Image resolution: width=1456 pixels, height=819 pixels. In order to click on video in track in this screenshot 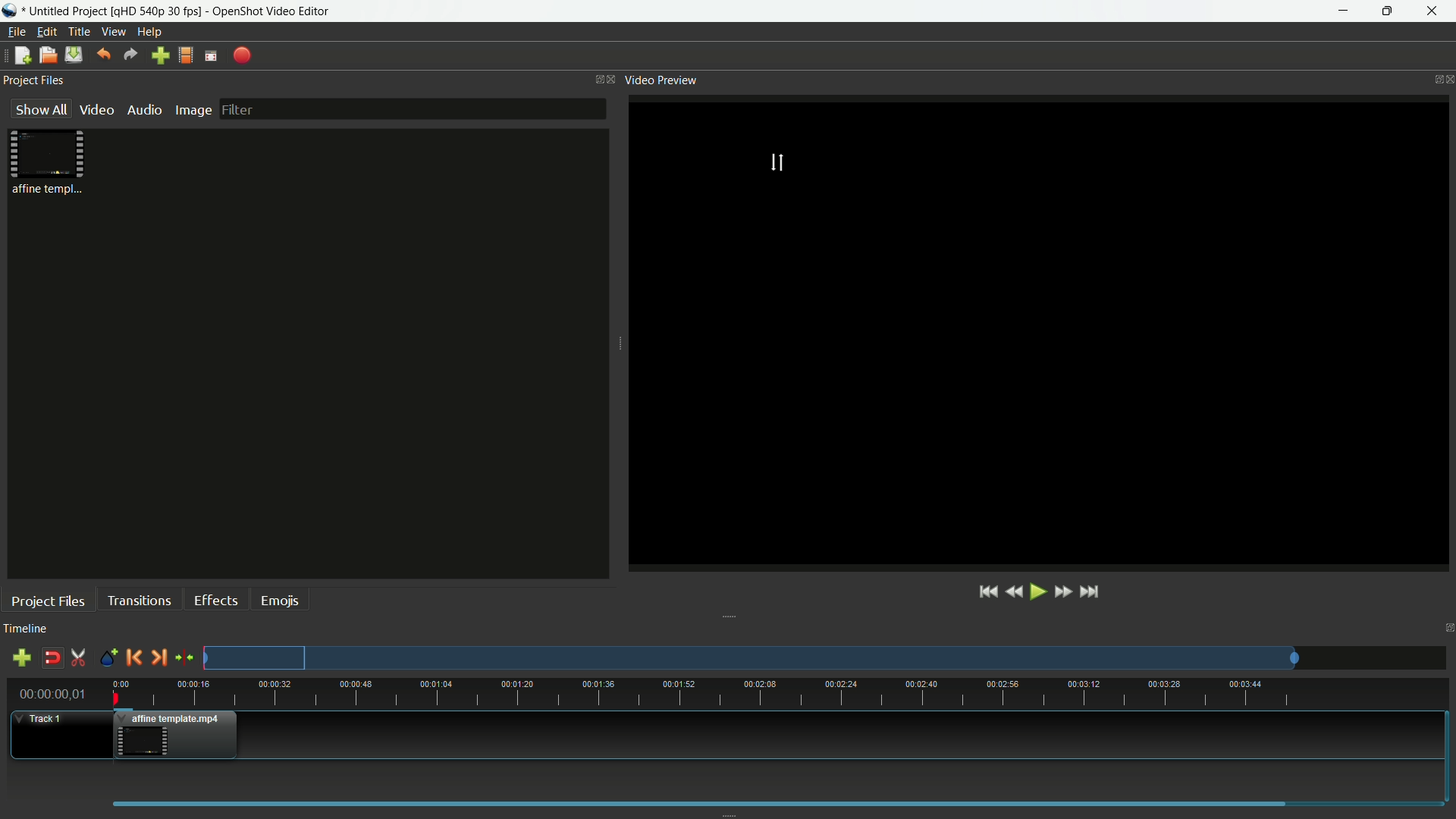, I will do `click(176, 734)`.